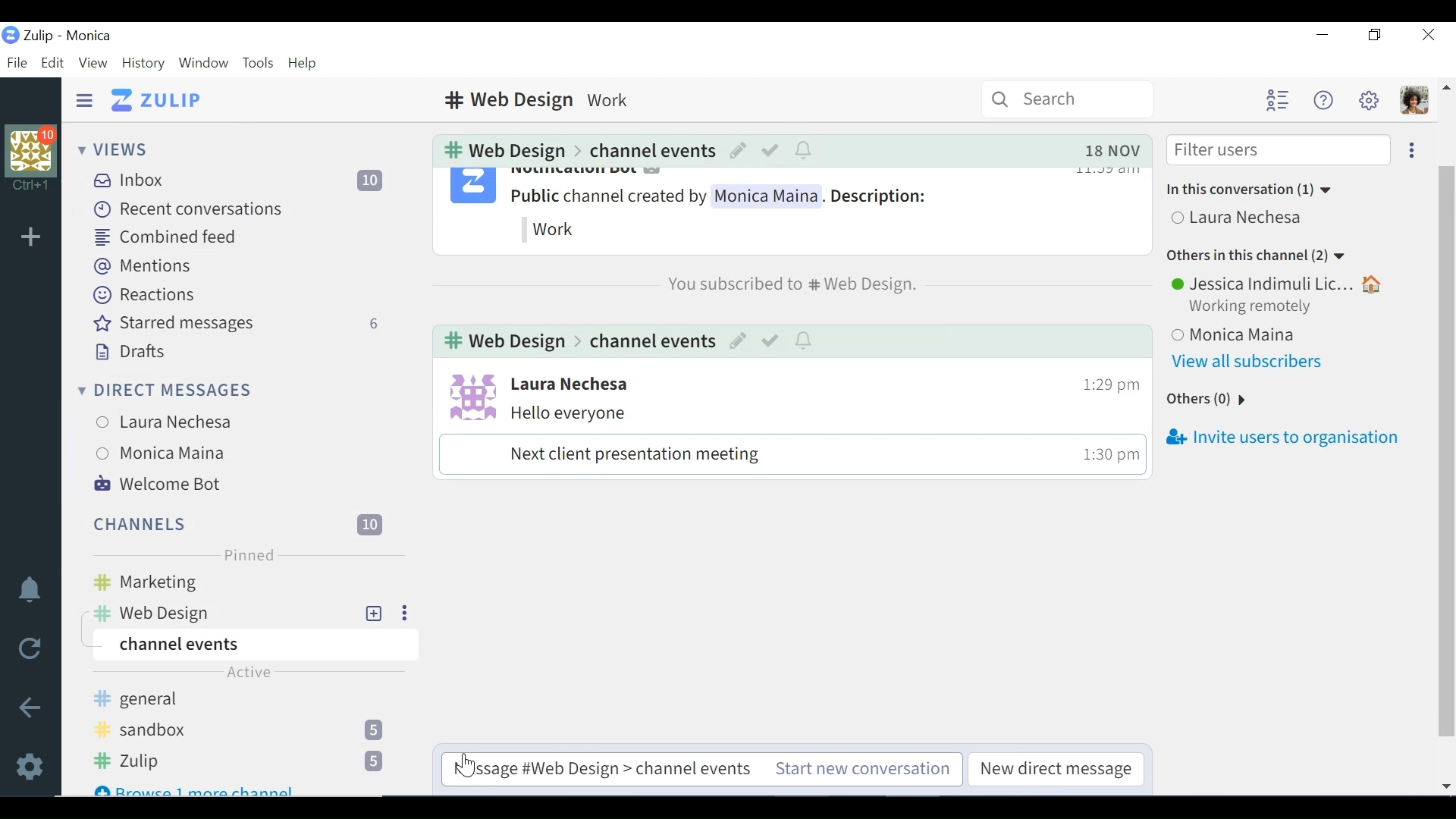 The image size is (1456, 819). I want to click on web design channel, so click(502, 343).